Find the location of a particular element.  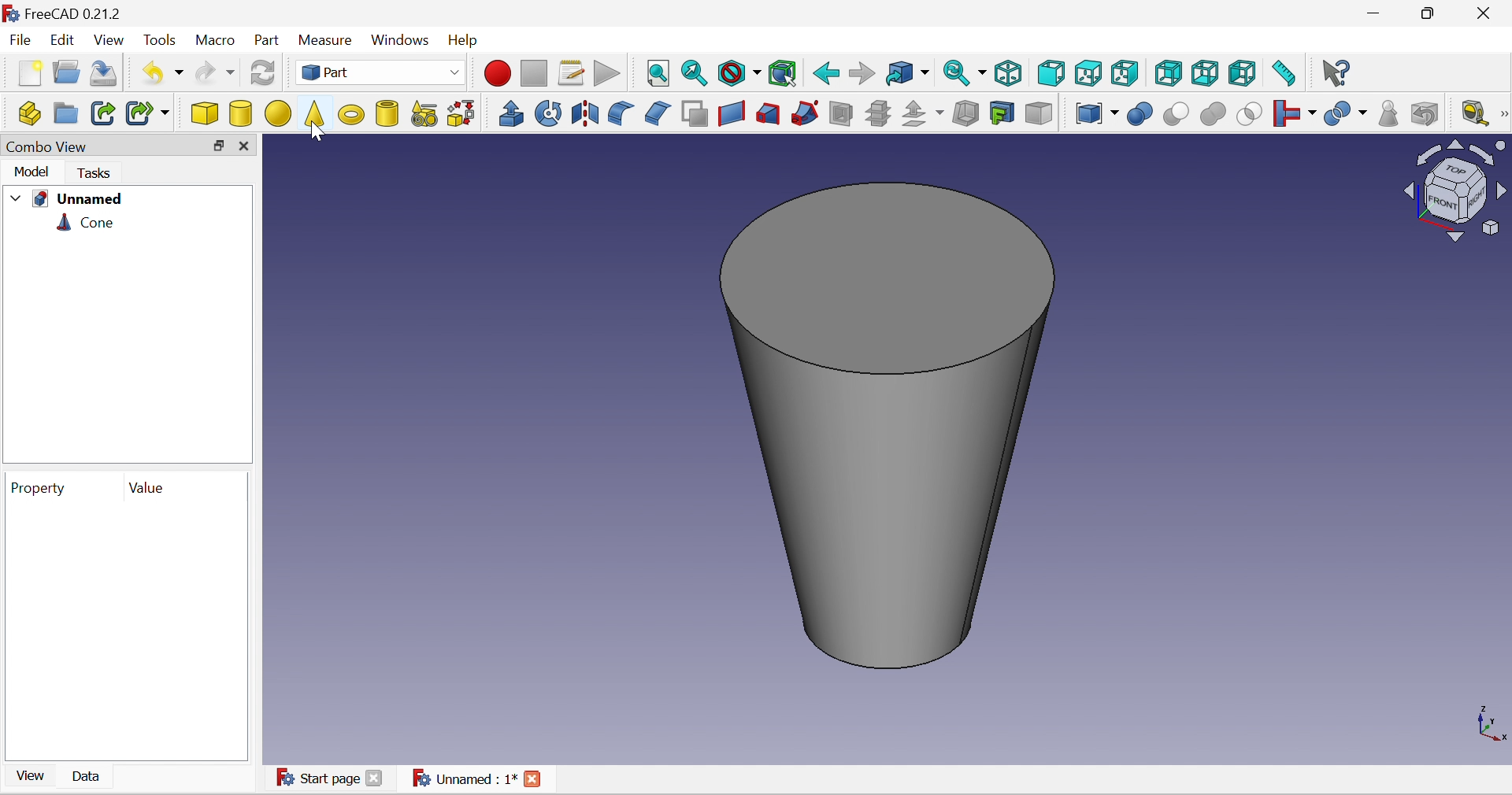

Sync view is located at coordinates (965, 73).